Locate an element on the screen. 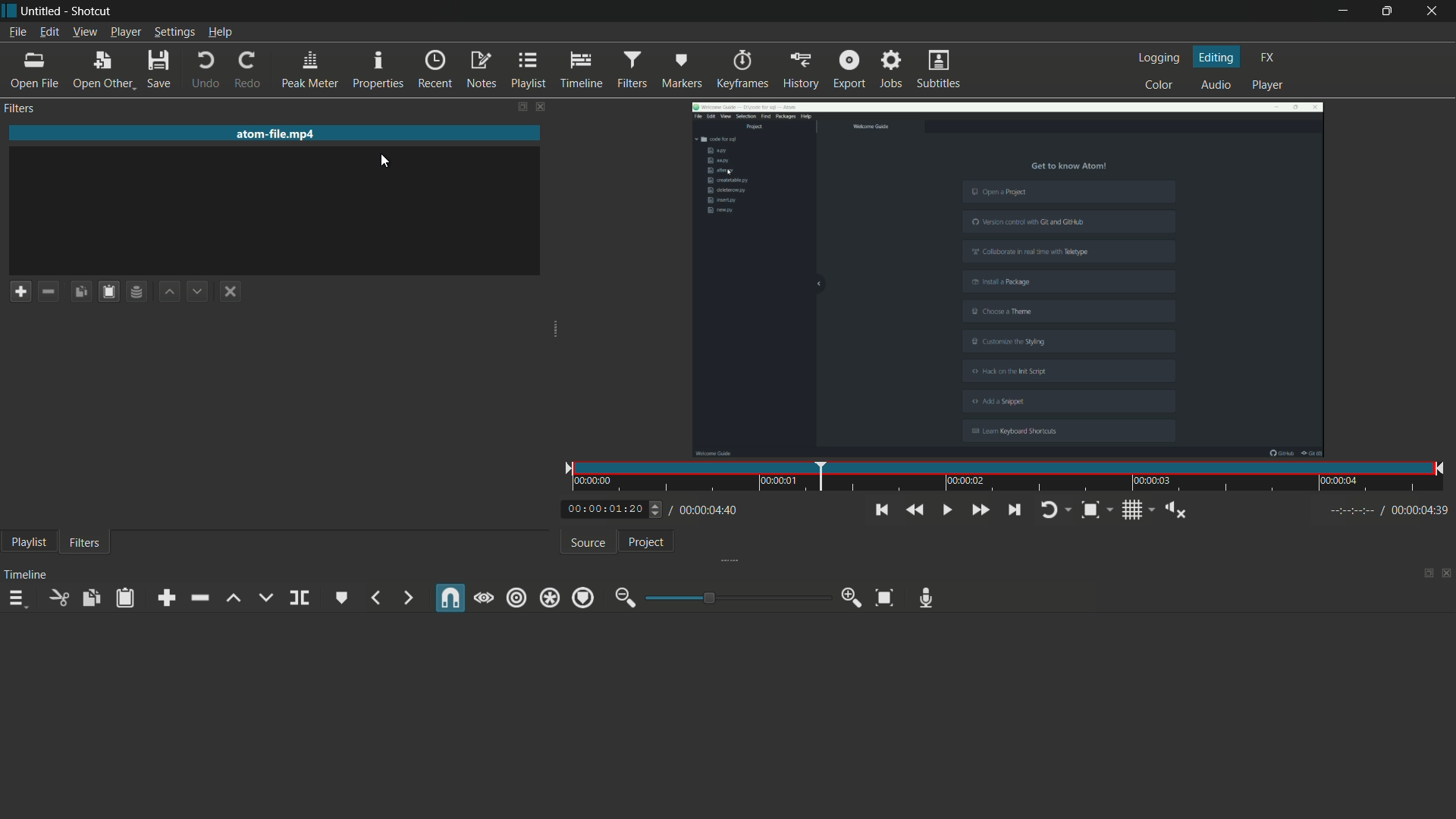 The image size is (1456, 819). skip to the previous point is located at coordinates (883, 510).